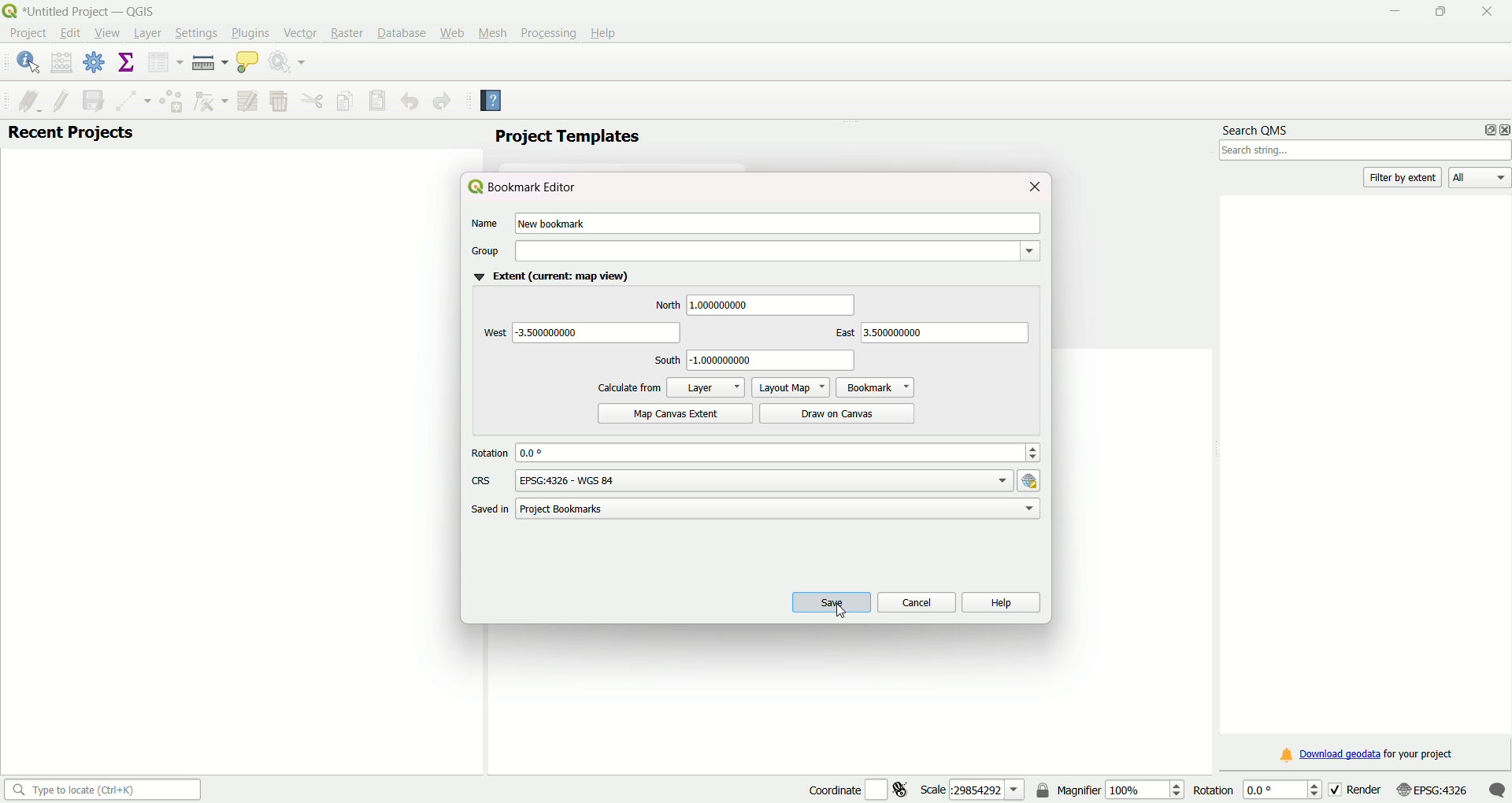 The image size is (1512, 803). What do you see at coordinates (838, 612) in the screenshot?
I see `Cursor` at bounding box center [838, 612].